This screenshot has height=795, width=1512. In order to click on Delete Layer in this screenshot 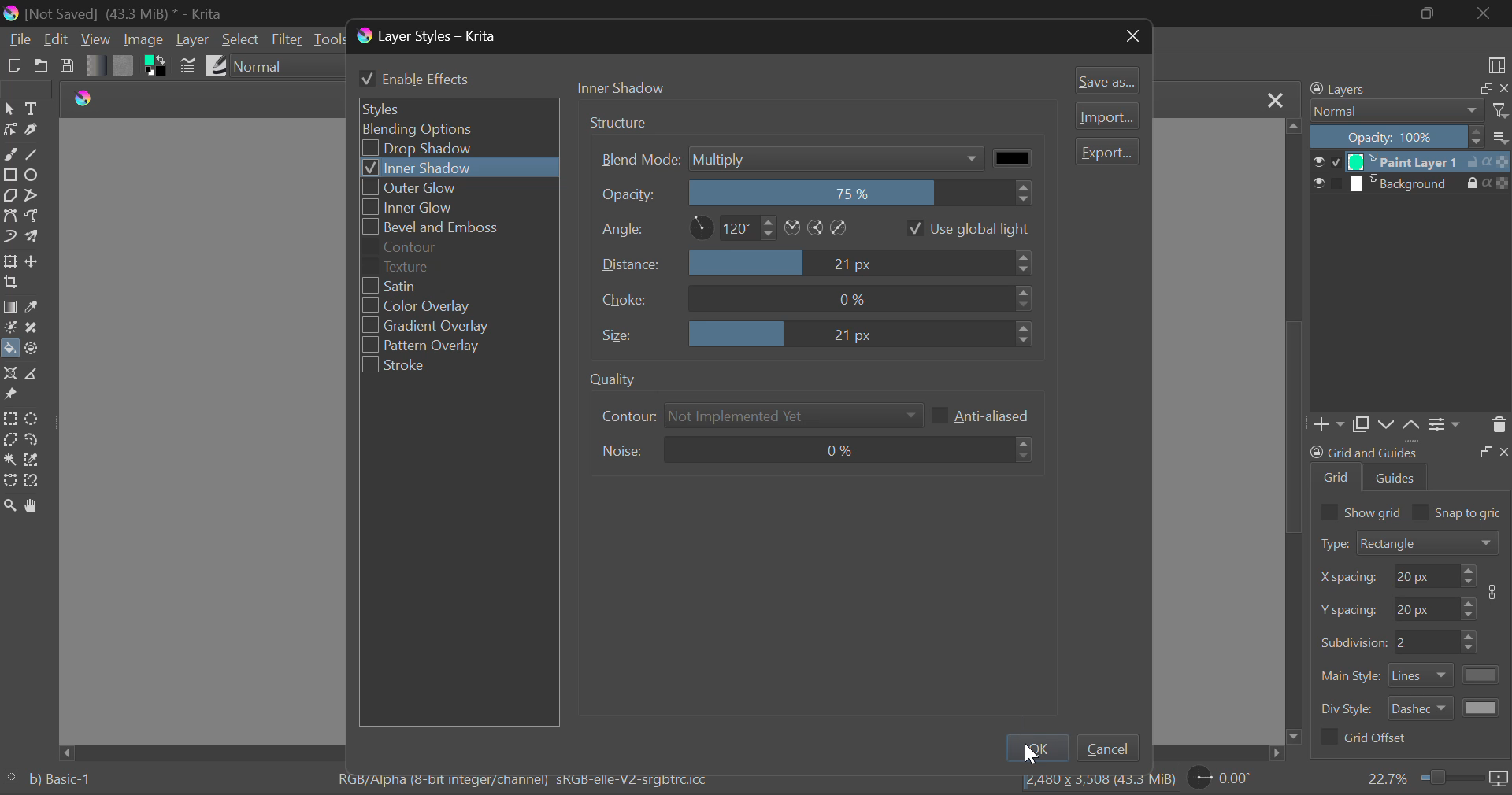, I will do `click(1498, 428)`.